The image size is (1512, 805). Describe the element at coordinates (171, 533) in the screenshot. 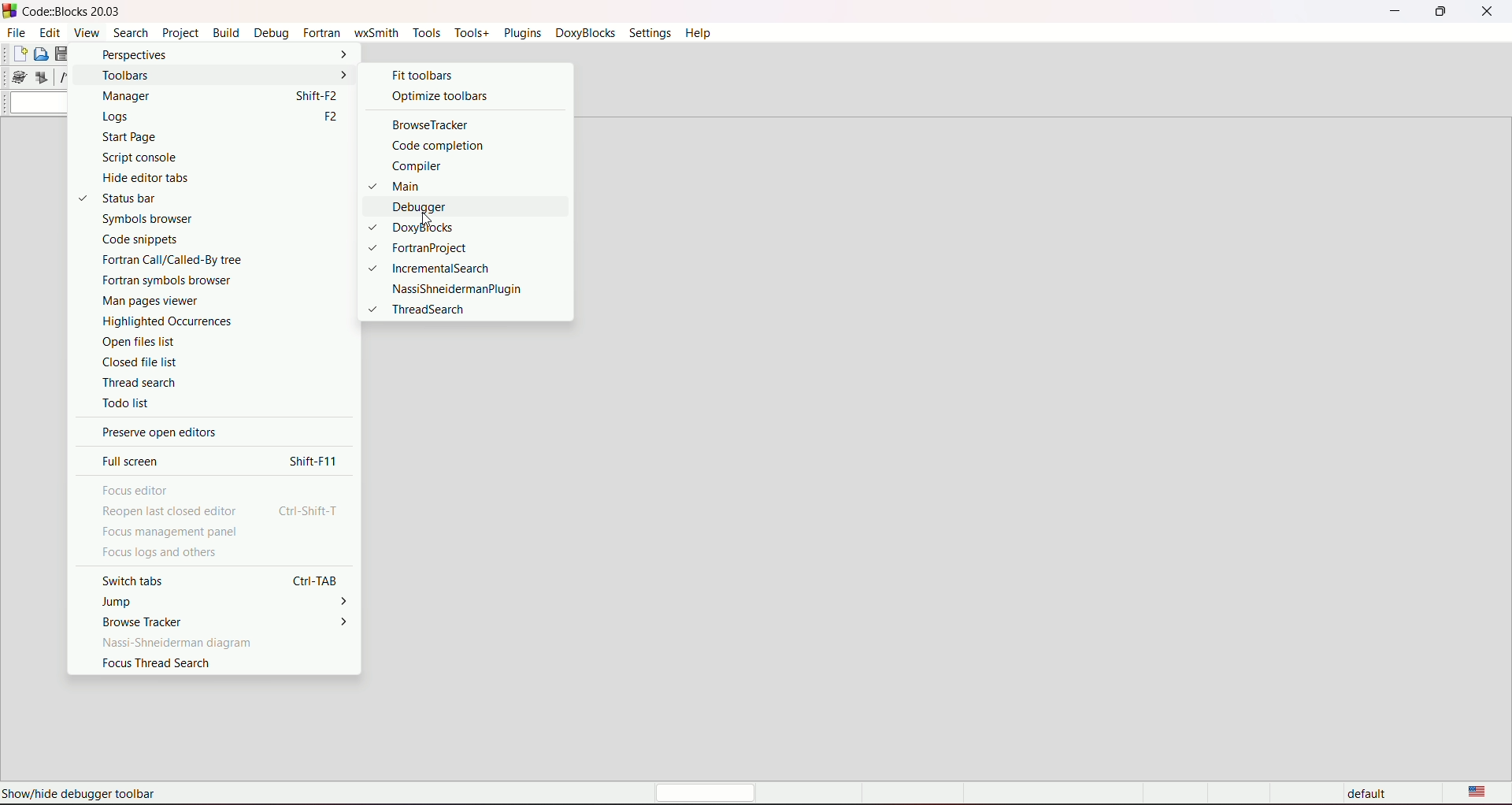

I see `focus management panel` at that location.